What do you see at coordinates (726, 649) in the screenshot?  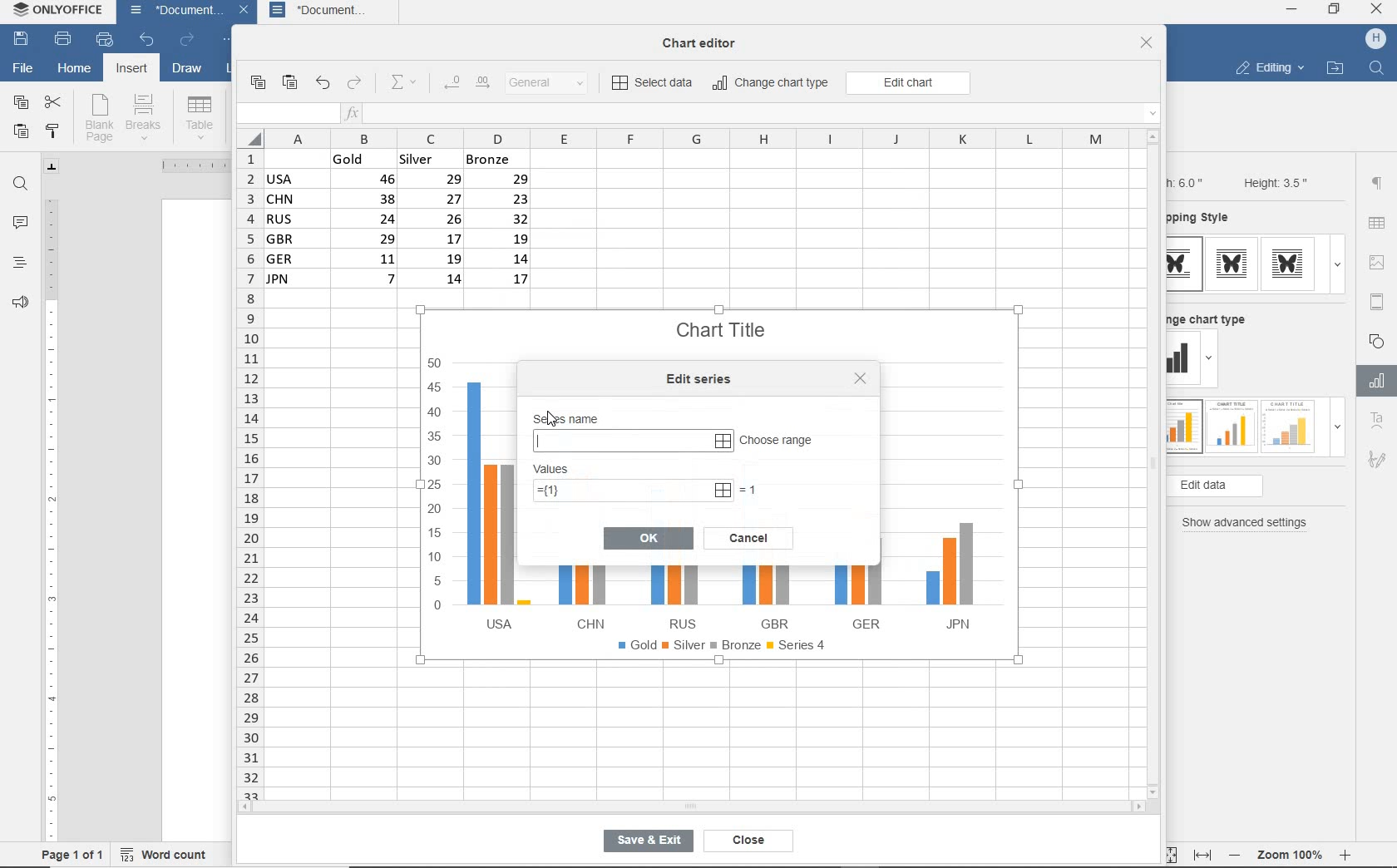 I see `legend` at bounding box center [726, 649].